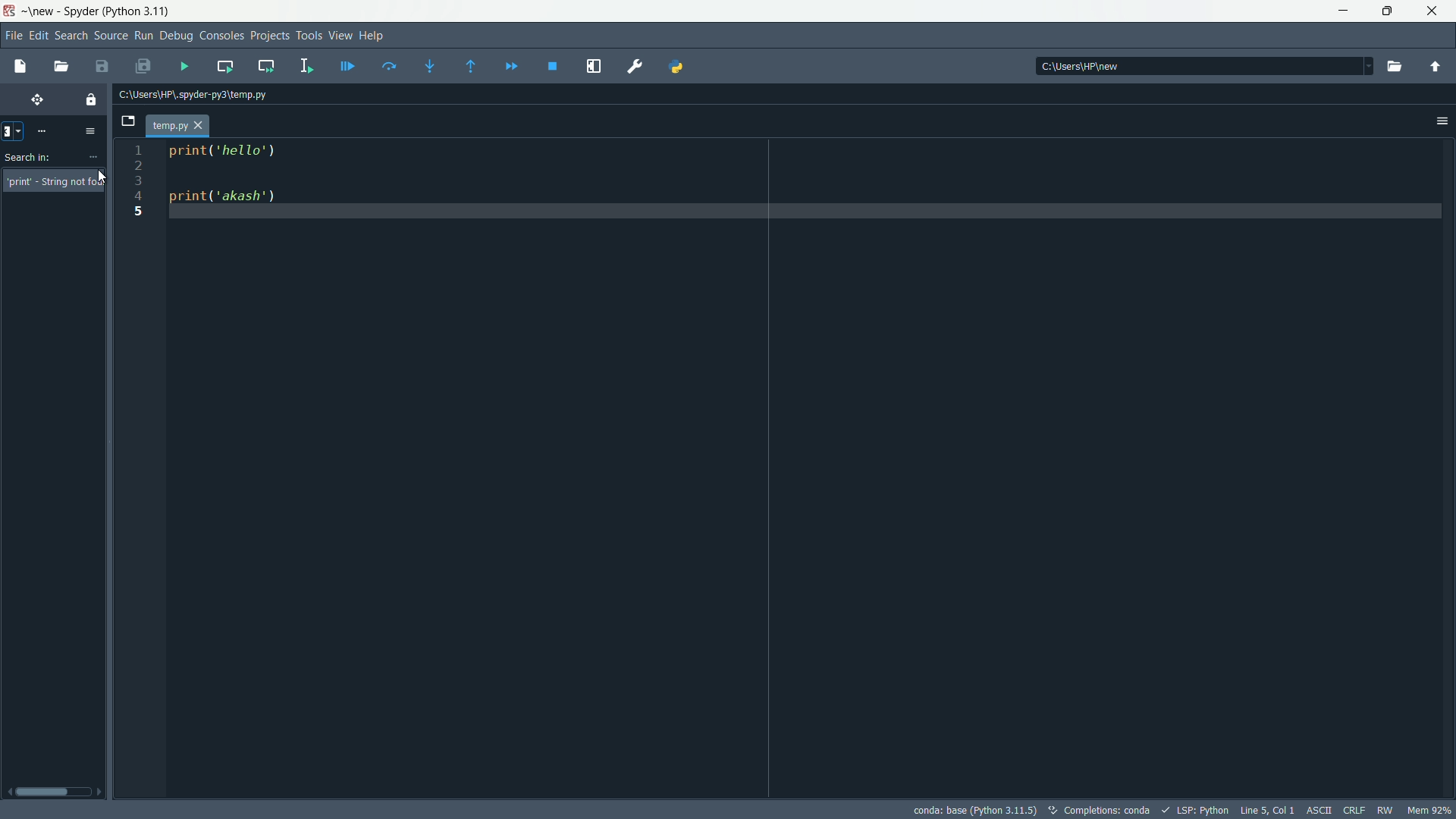 The width and height of the screenshot is (1456, 819). What do you see at coordinates (11, 12) in the screenshot?
I see `app icon` at bounding box center [11, 12].